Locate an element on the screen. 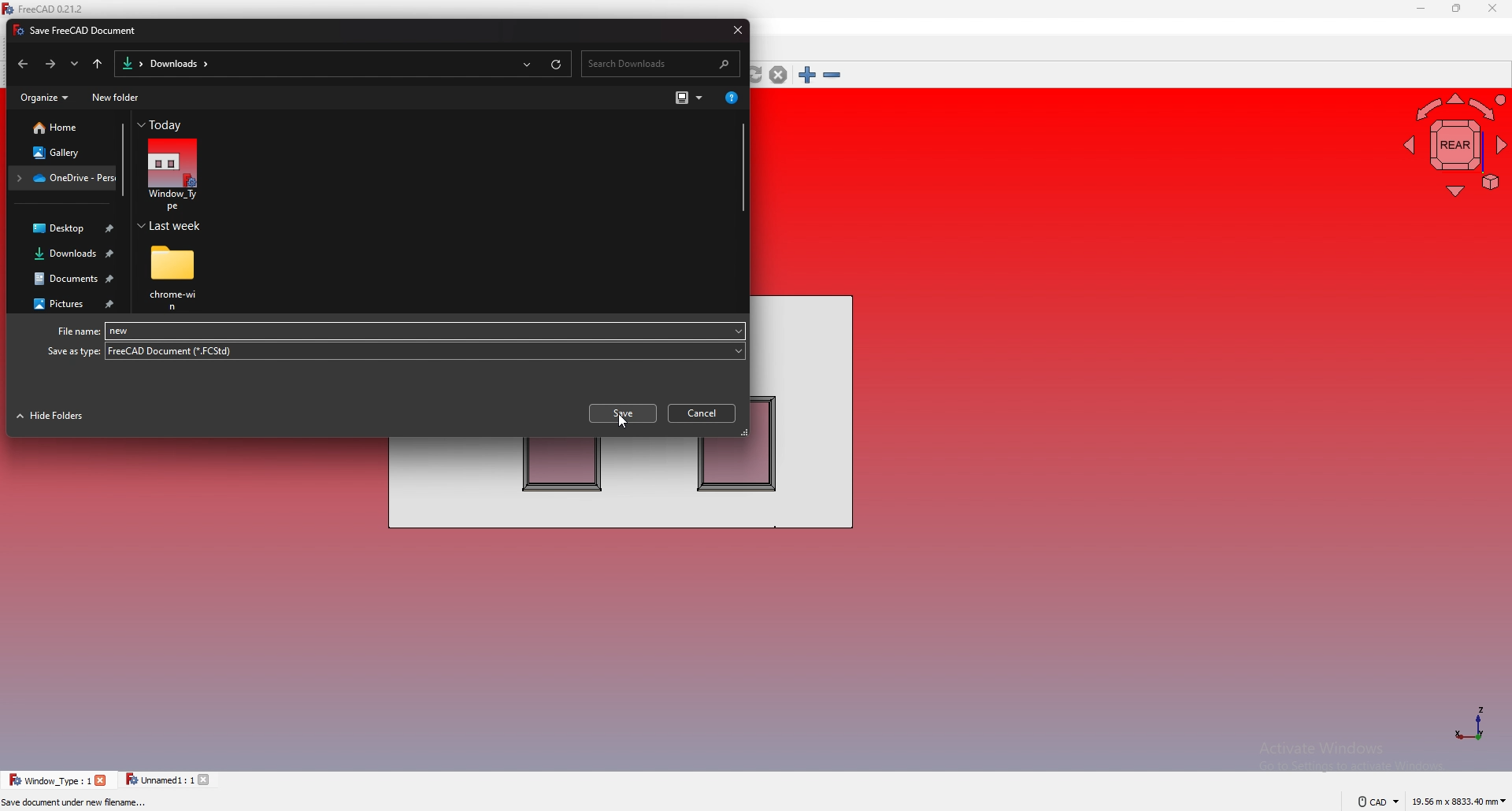  save is located at coordinates (622, 413).